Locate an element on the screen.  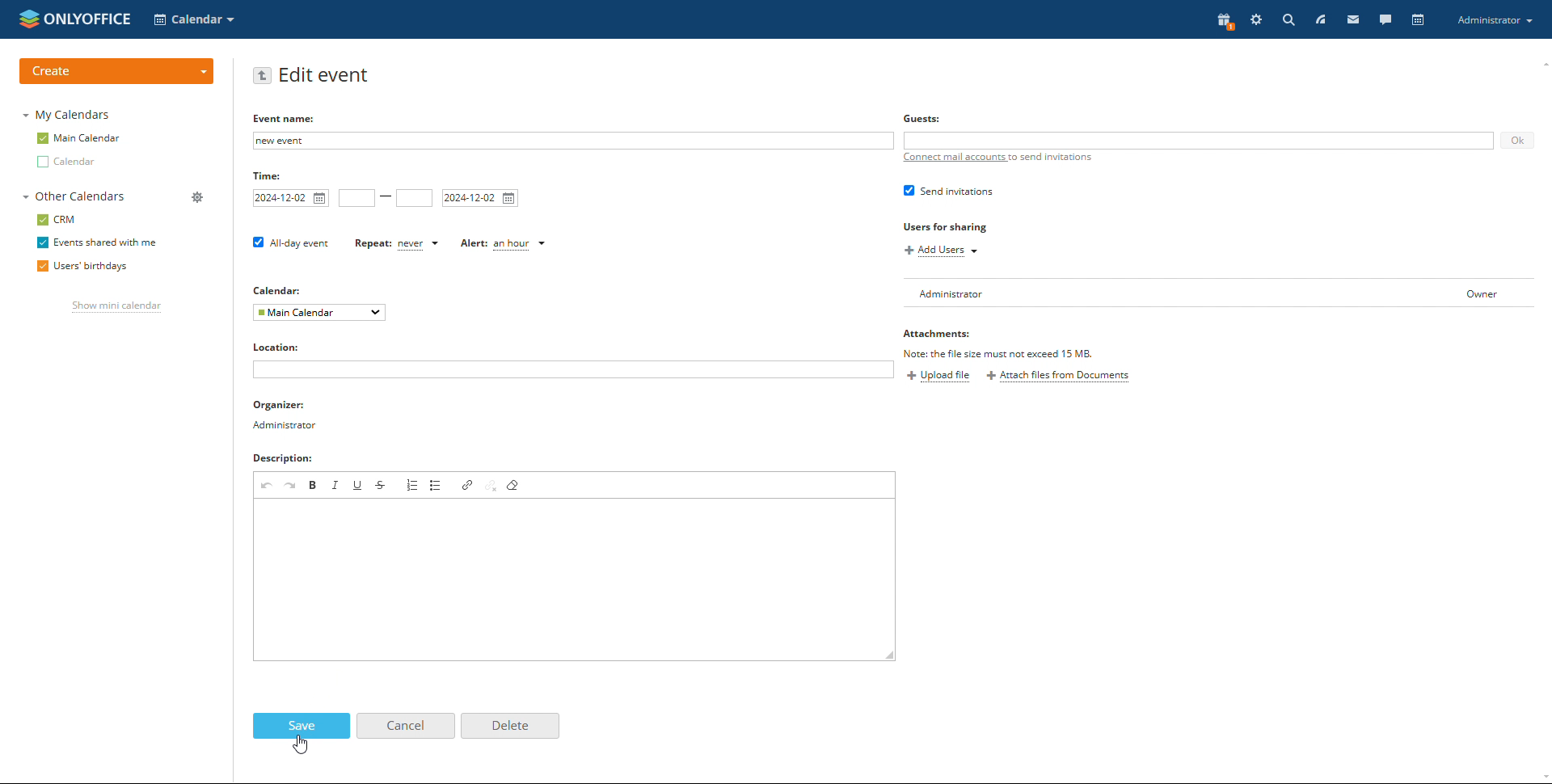
cursor is located at coordinates (306, 744).